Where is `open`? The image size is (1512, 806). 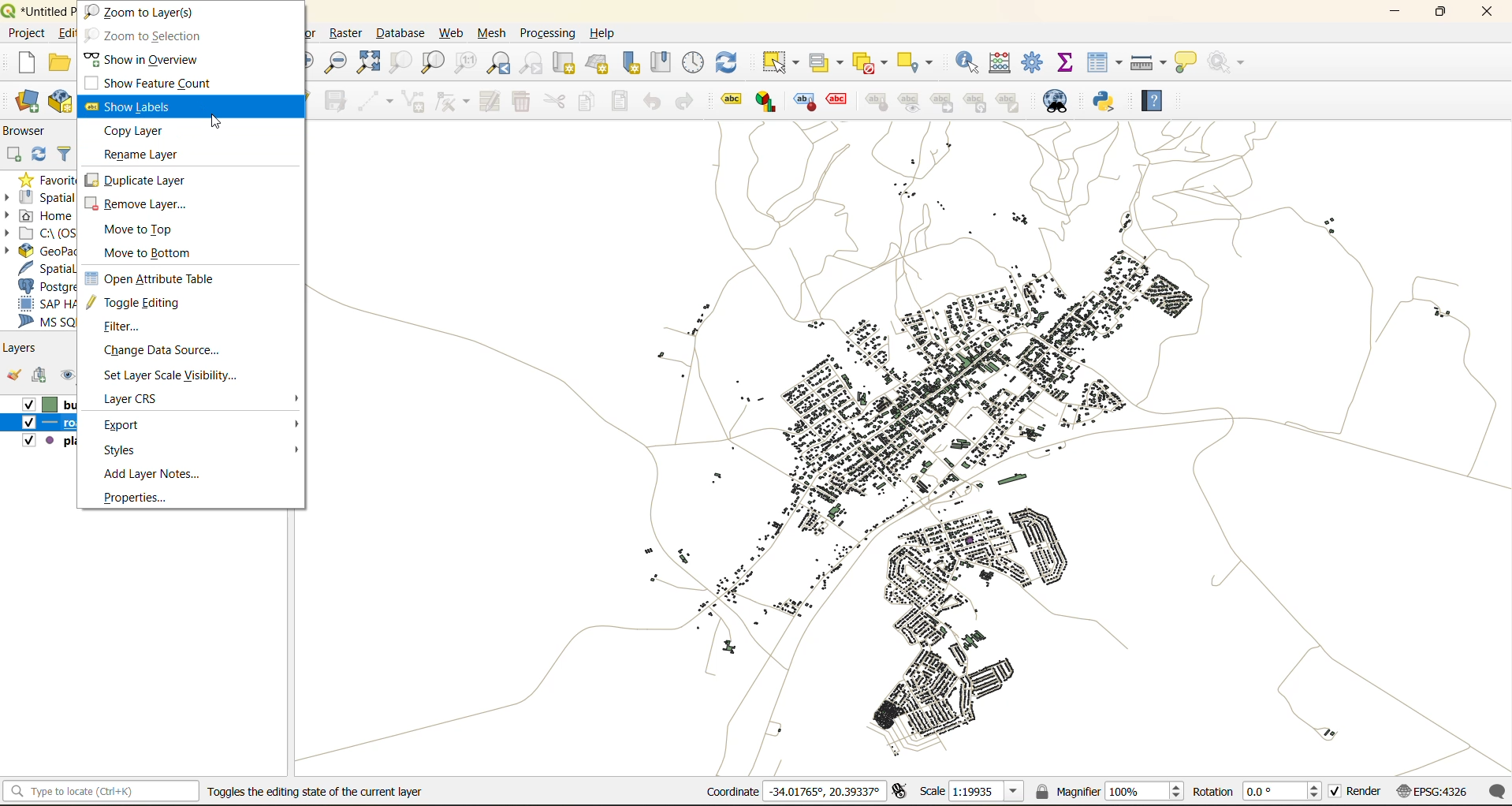 open is located at coordinates (57, 63).